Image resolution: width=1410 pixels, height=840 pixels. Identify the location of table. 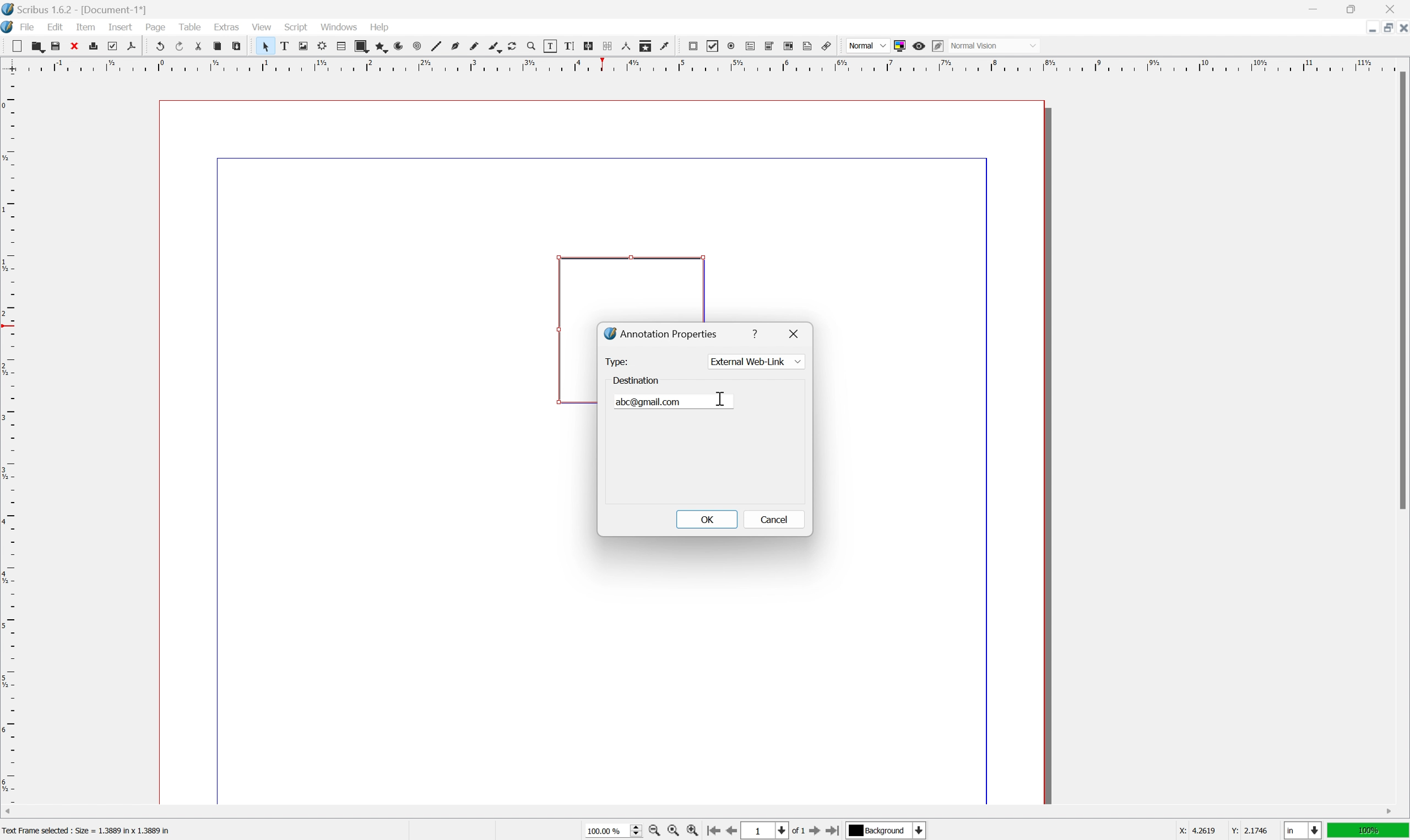
(189, 25).